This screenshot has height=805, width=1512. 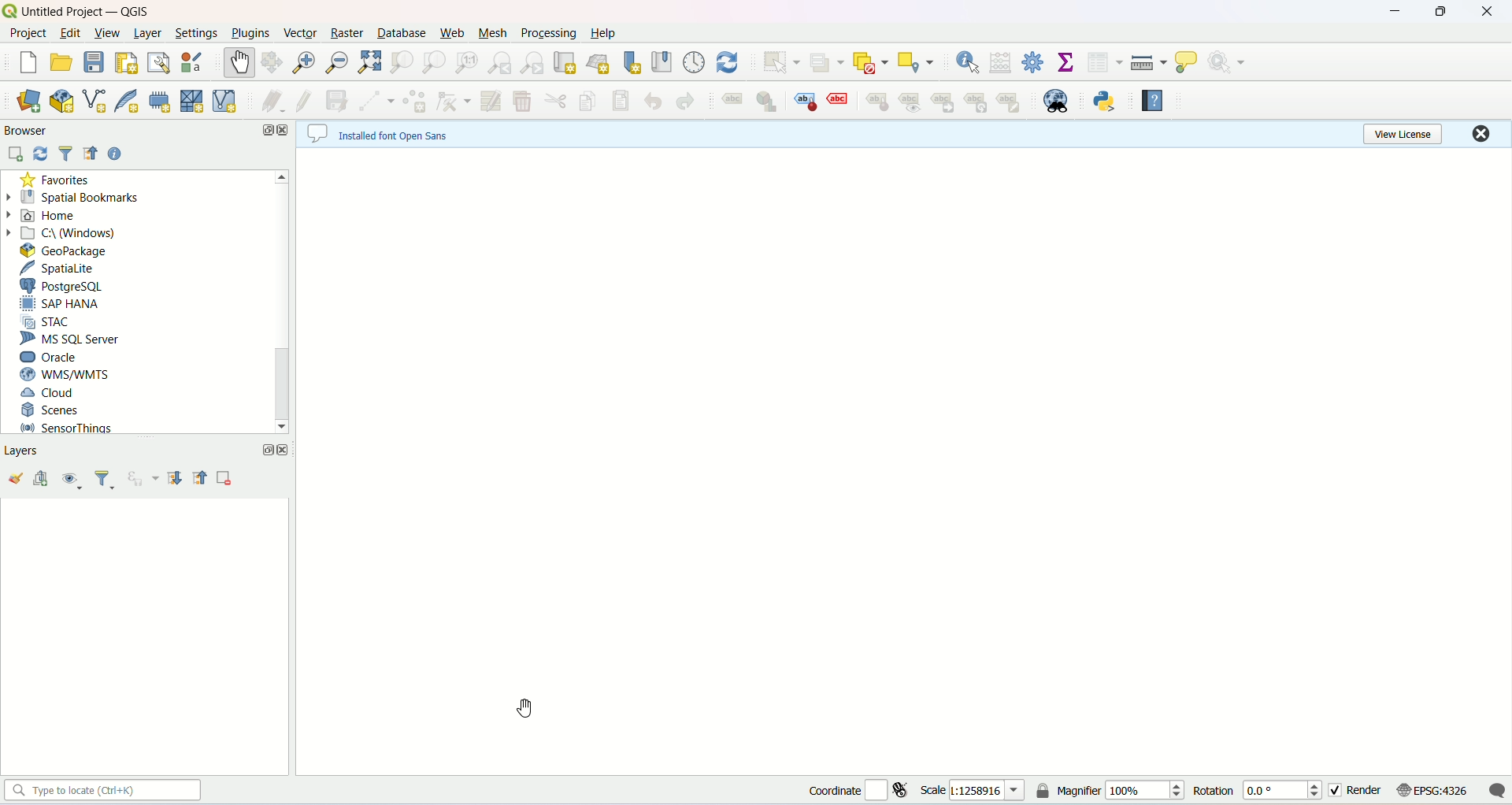 I want to click on collapse all, so click(x=200, y=478).